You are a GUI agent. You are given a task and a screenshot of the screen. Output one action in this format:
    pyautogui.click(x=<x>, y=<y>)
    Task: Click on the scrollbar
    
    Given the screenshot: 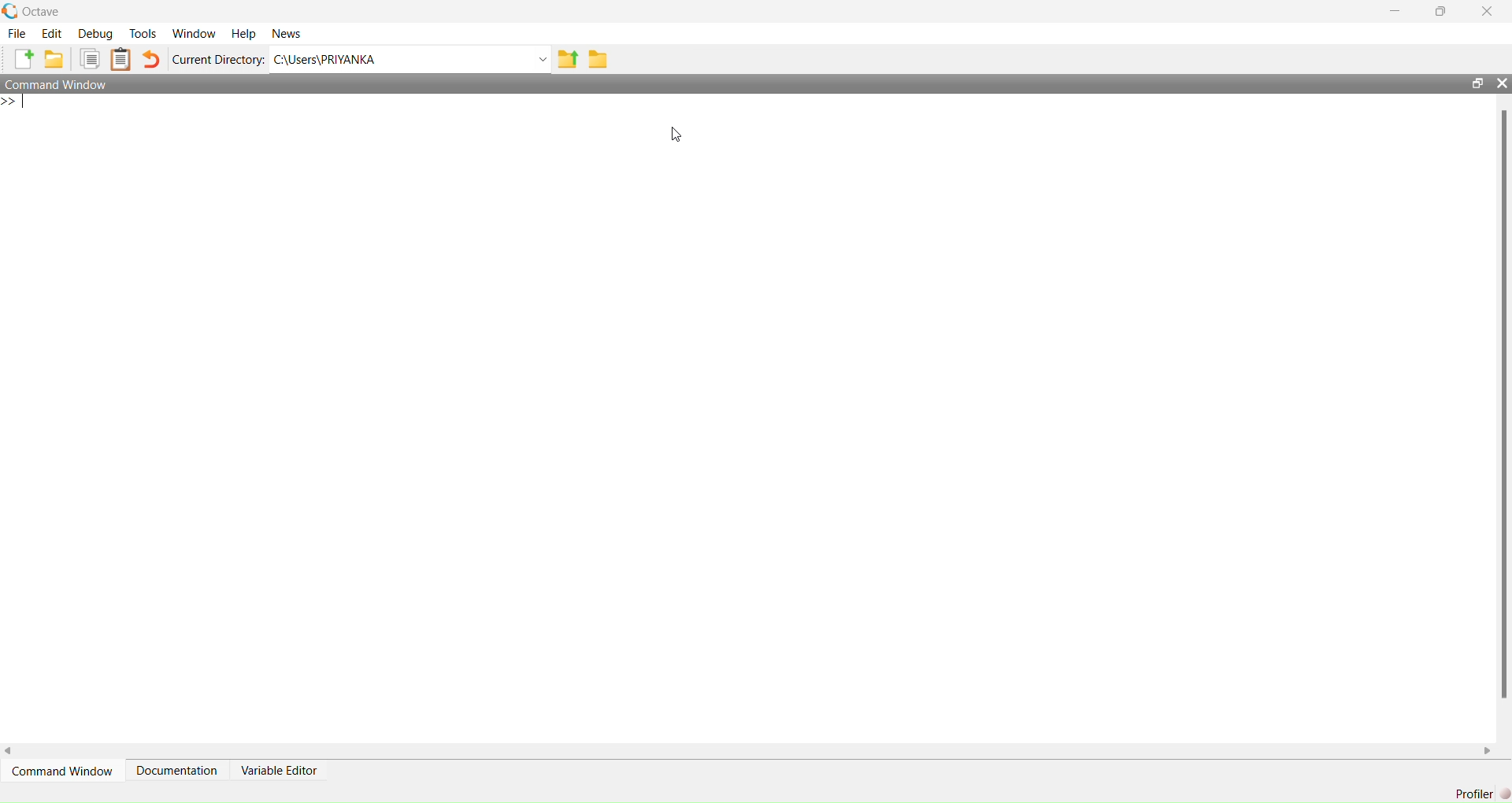 What is the action you would take?
    pyautogui.click(x=1504, y=403)
    